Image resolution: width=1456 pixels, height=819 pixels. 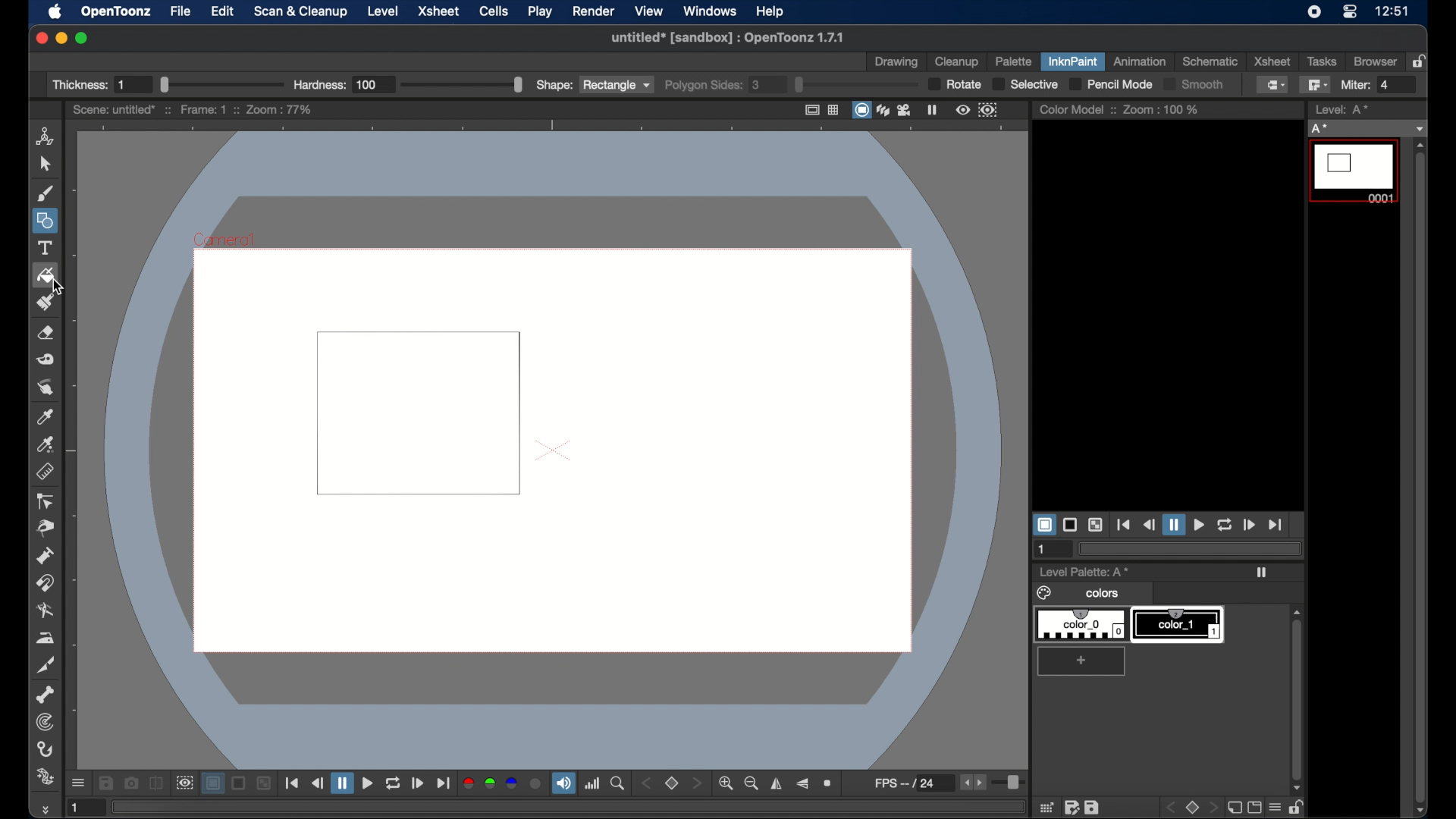 What do you see at coordinates (1124, 525) in the screenshot?
I see `jump to start` at bounding box center [1124, 525].